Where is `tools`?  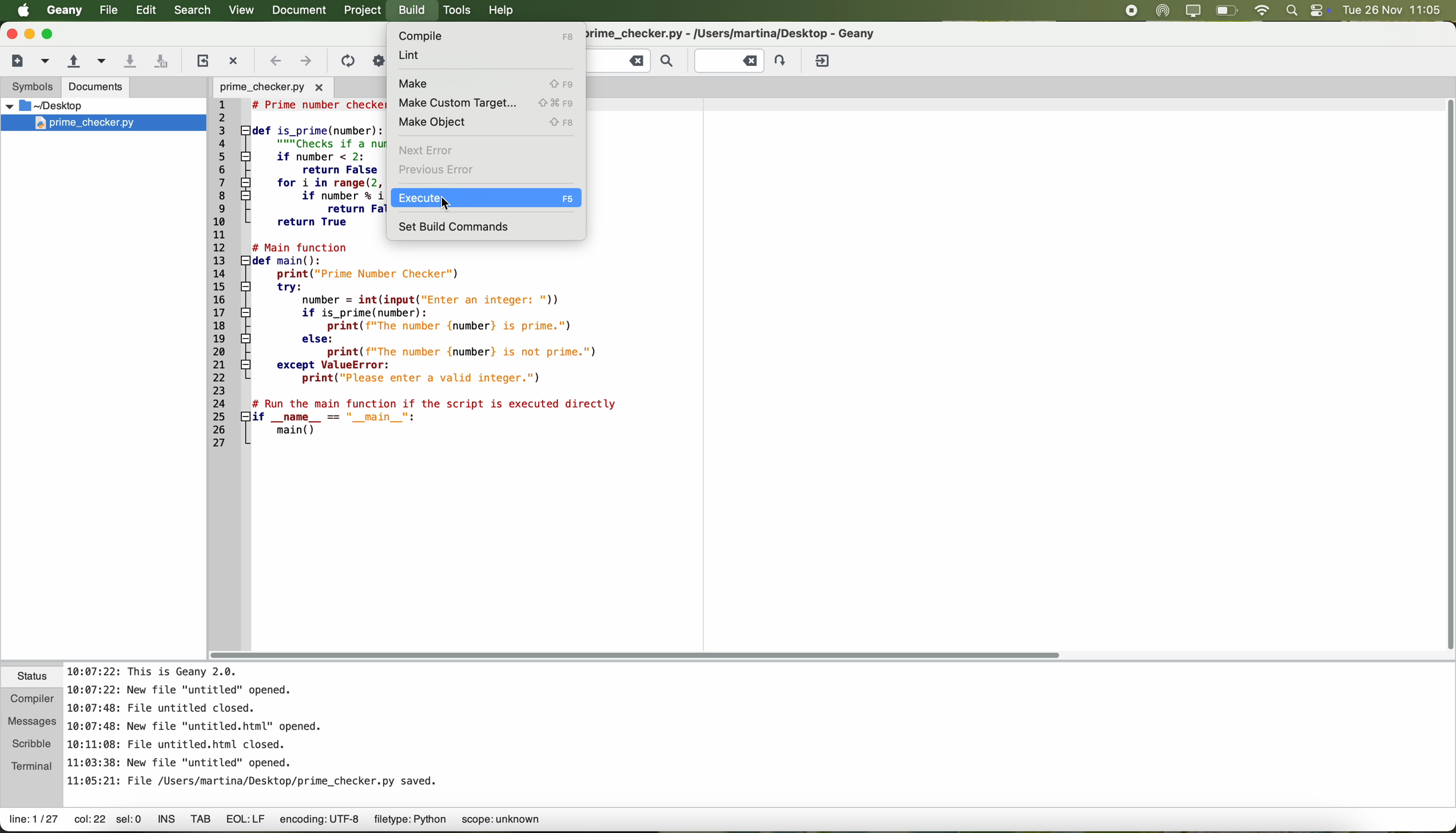
tools is located at coordinates (458, 11).